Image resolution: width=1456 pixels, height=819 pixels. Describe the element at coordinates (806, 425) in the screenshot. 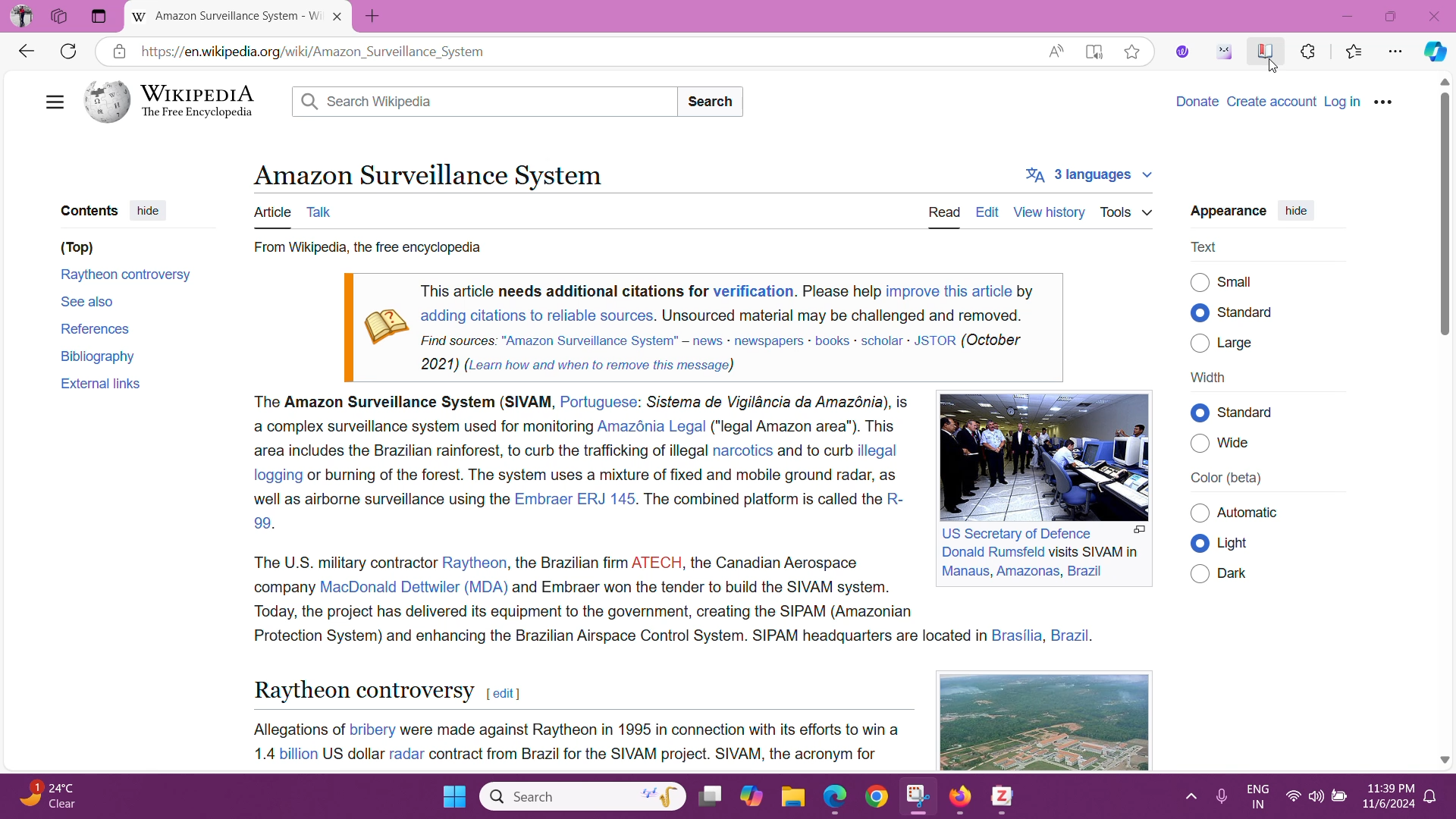

I see `("legal Amazon area"). This` at that location.